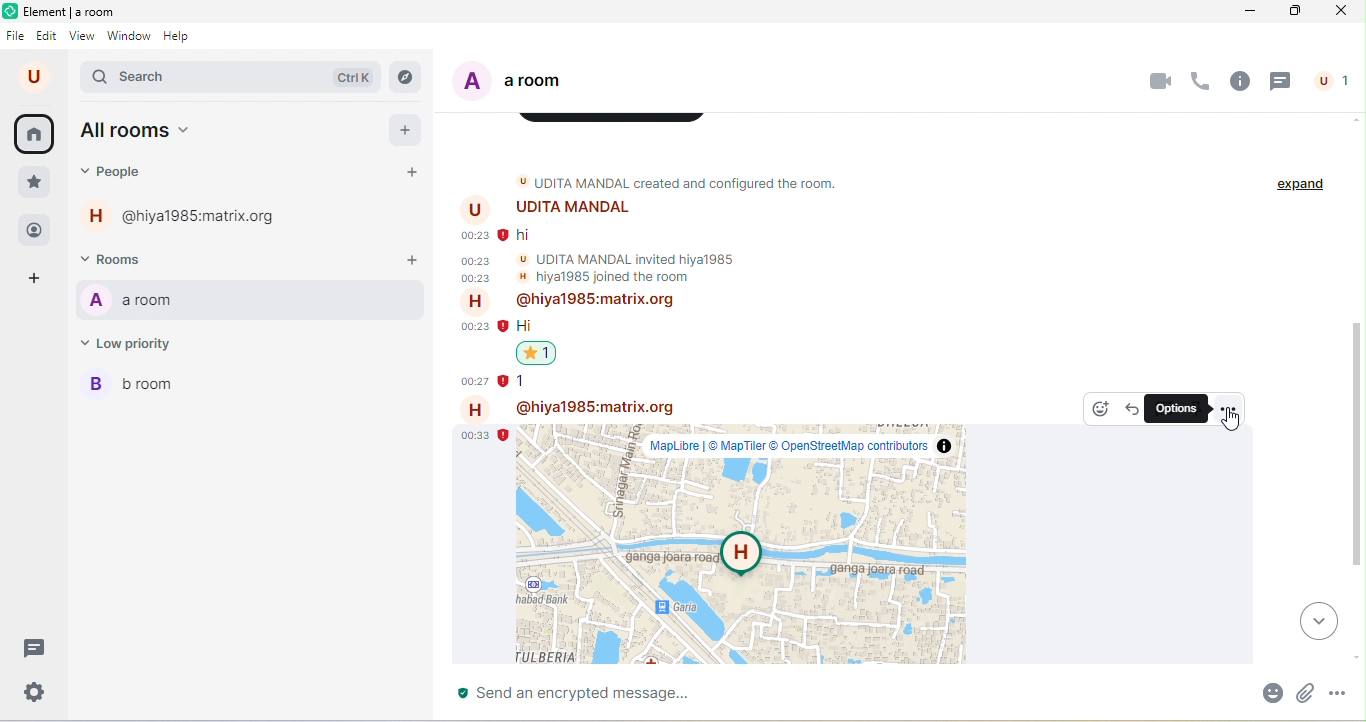 This screenshot has height=722, width=1366. What do you see at coordinates (136, 382) in the screenshot?
I see `b room` at bounding box center [136, 382].